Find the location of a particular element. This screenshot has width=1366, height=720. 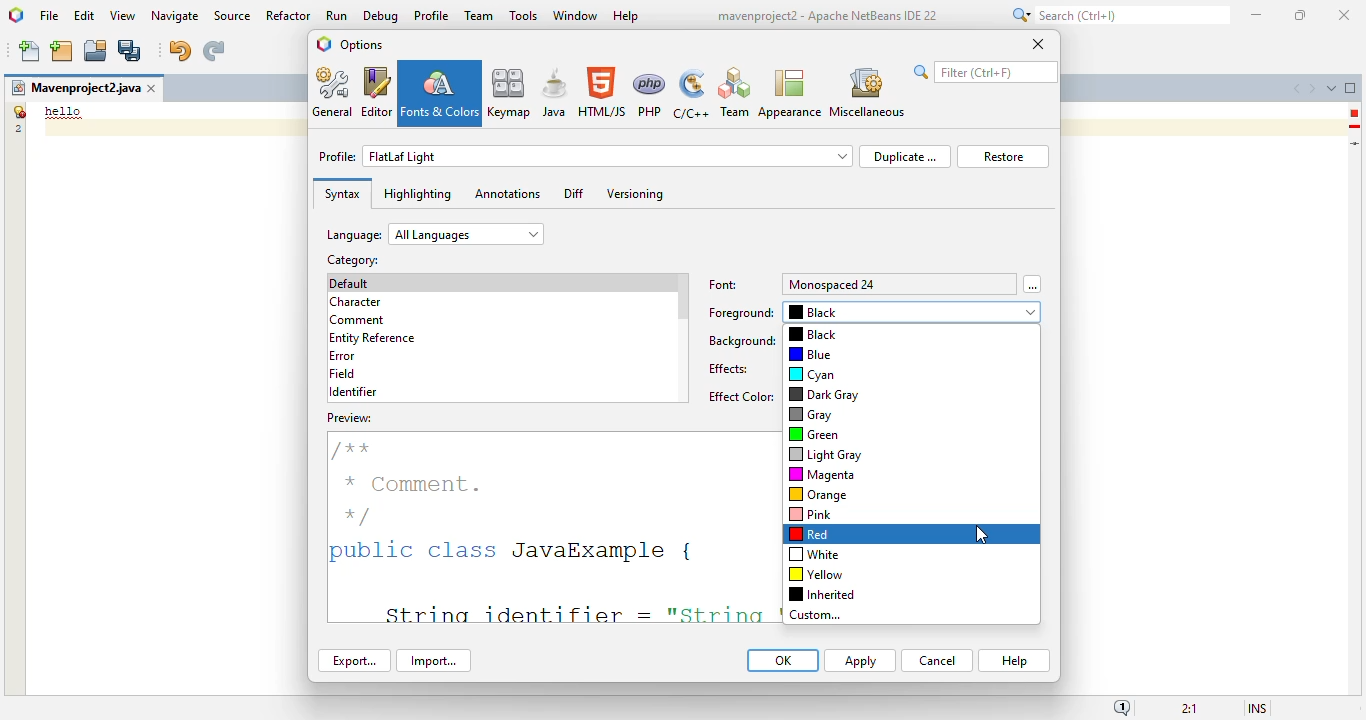

close is located at coordinates (1345, 16).